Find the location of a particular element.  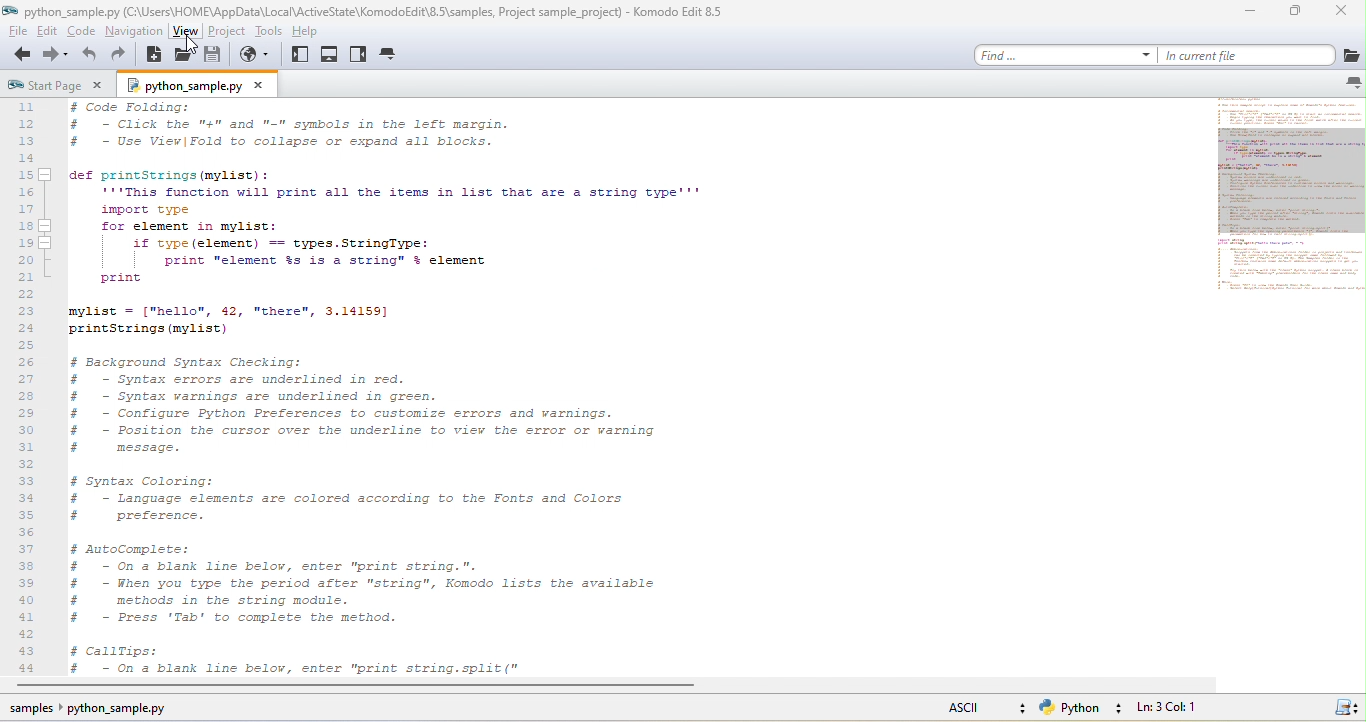

back is located at coordinates (18, 55).